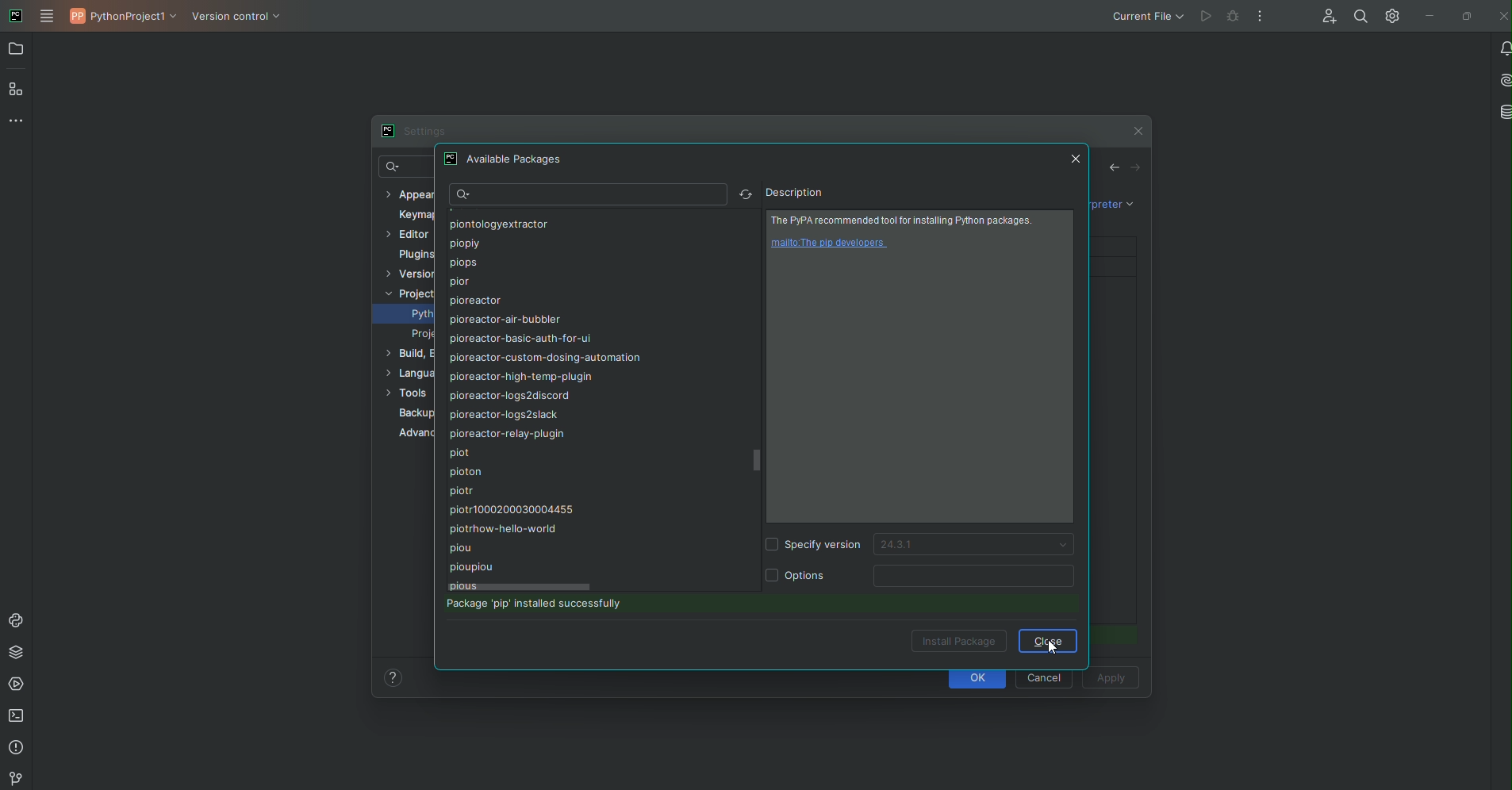 This screenshot has width=1512, height=790. What do you see at coordinates (1501, 15) in the screenshot?
I see `Close` at bounding box center [1501, 15].